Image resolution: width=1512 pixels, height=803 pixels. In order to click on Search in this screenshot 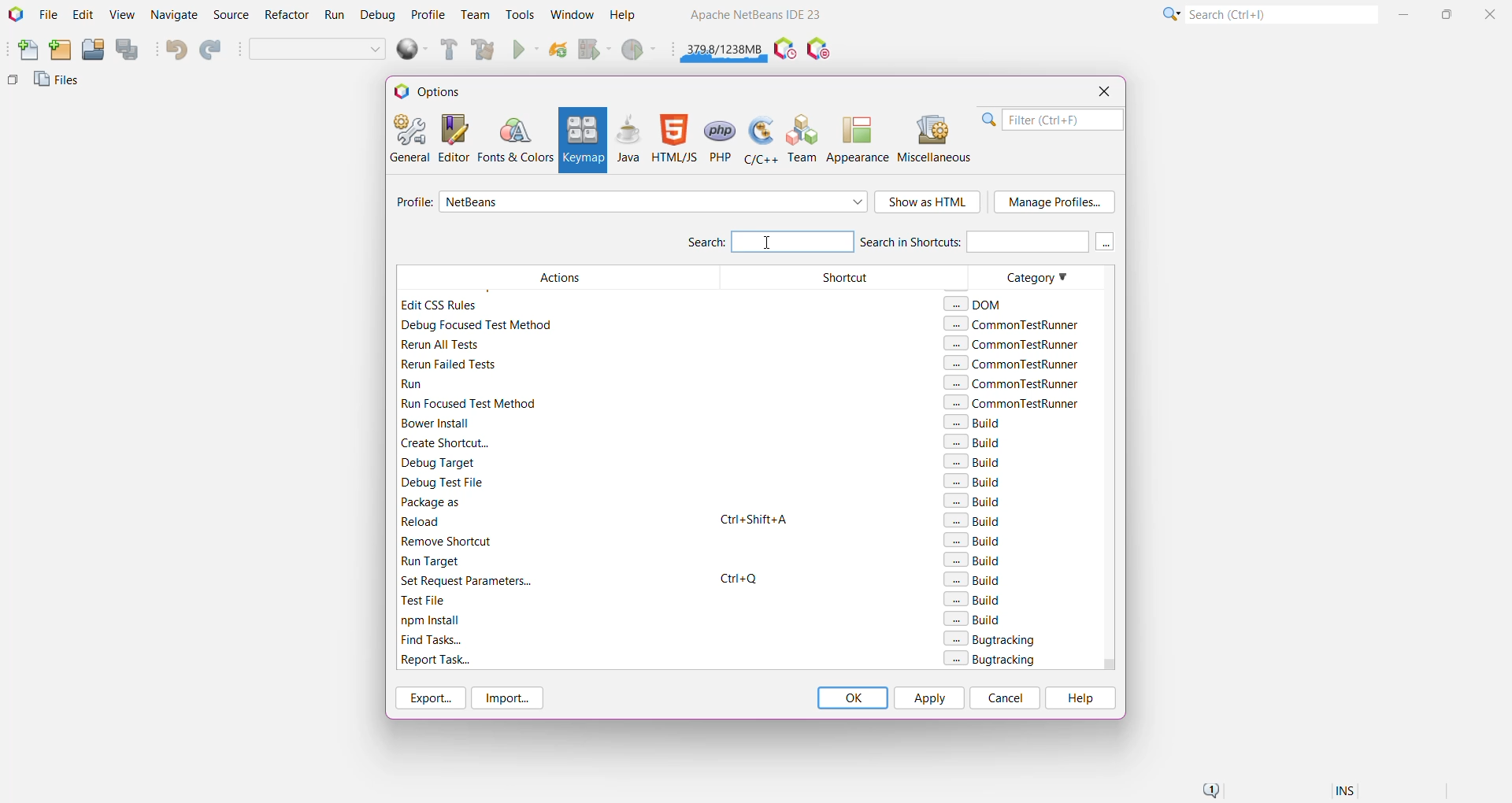, I will do `click(1280, 13)`.